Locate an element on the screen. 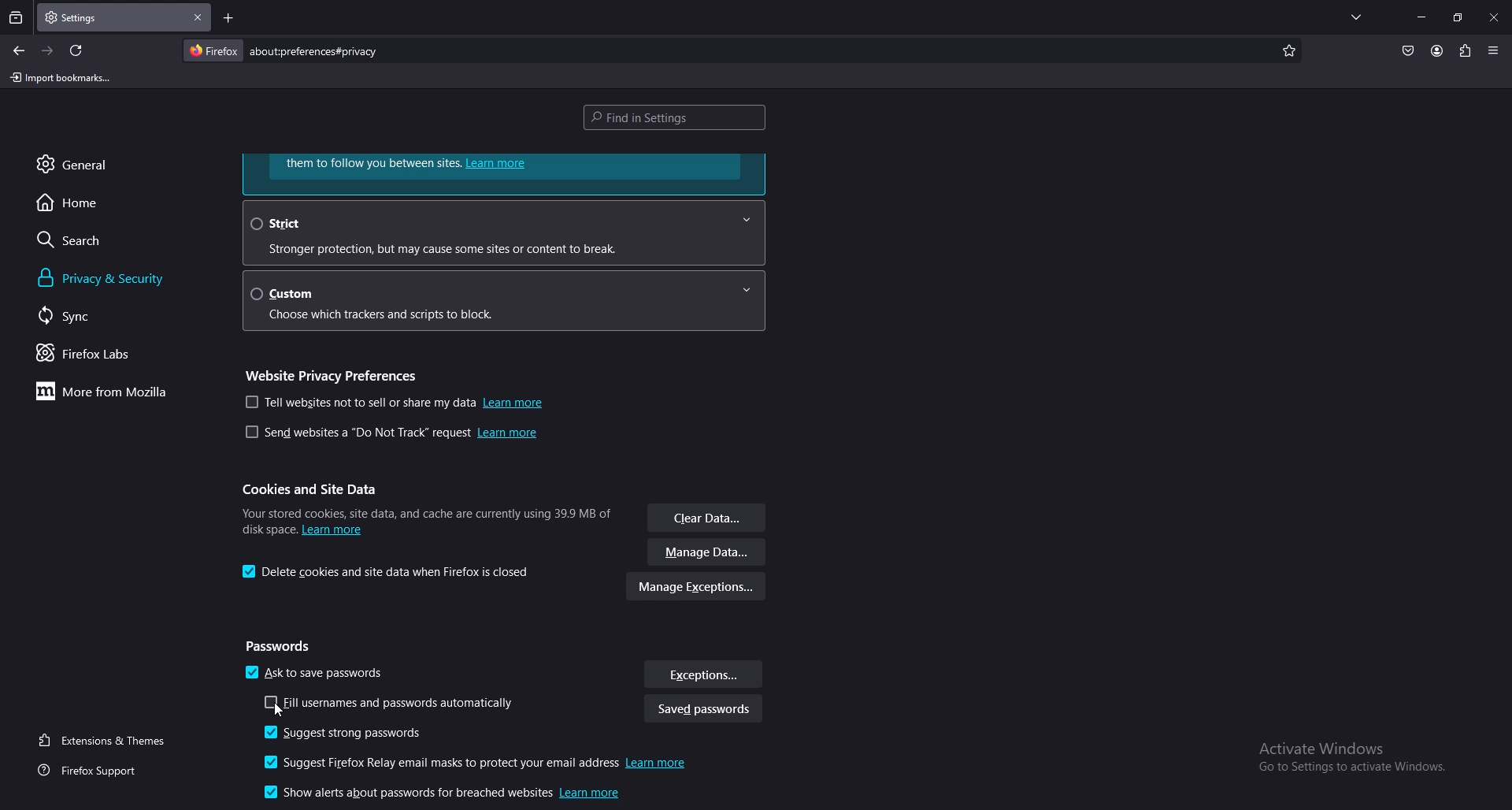 This screenshot has width=1512, height=810. delete cookies is located at coordinates (390, 572).